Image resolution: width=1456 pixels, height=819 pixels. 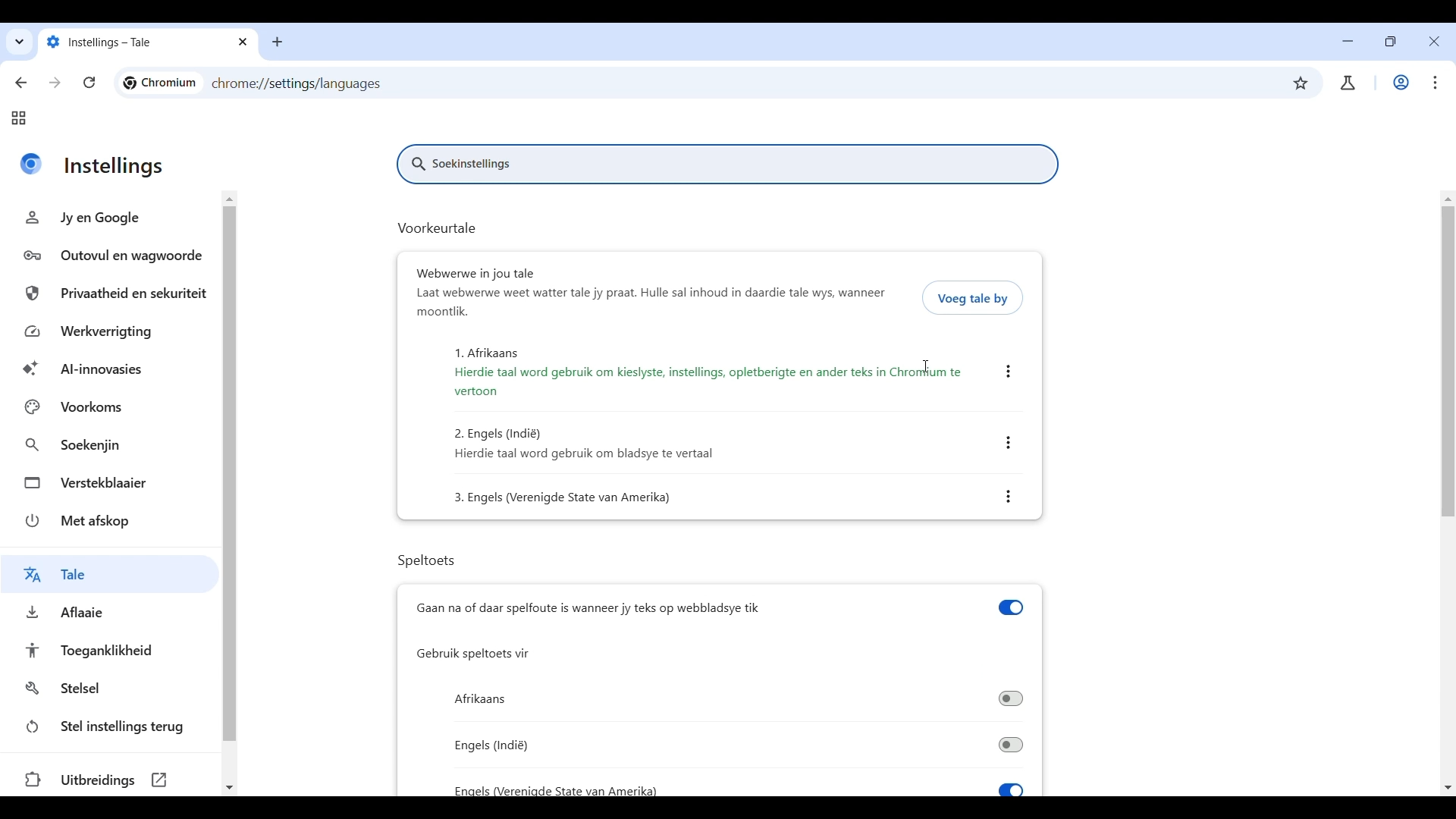 I want to click on Voorkoms, so click(x=95, y=407).